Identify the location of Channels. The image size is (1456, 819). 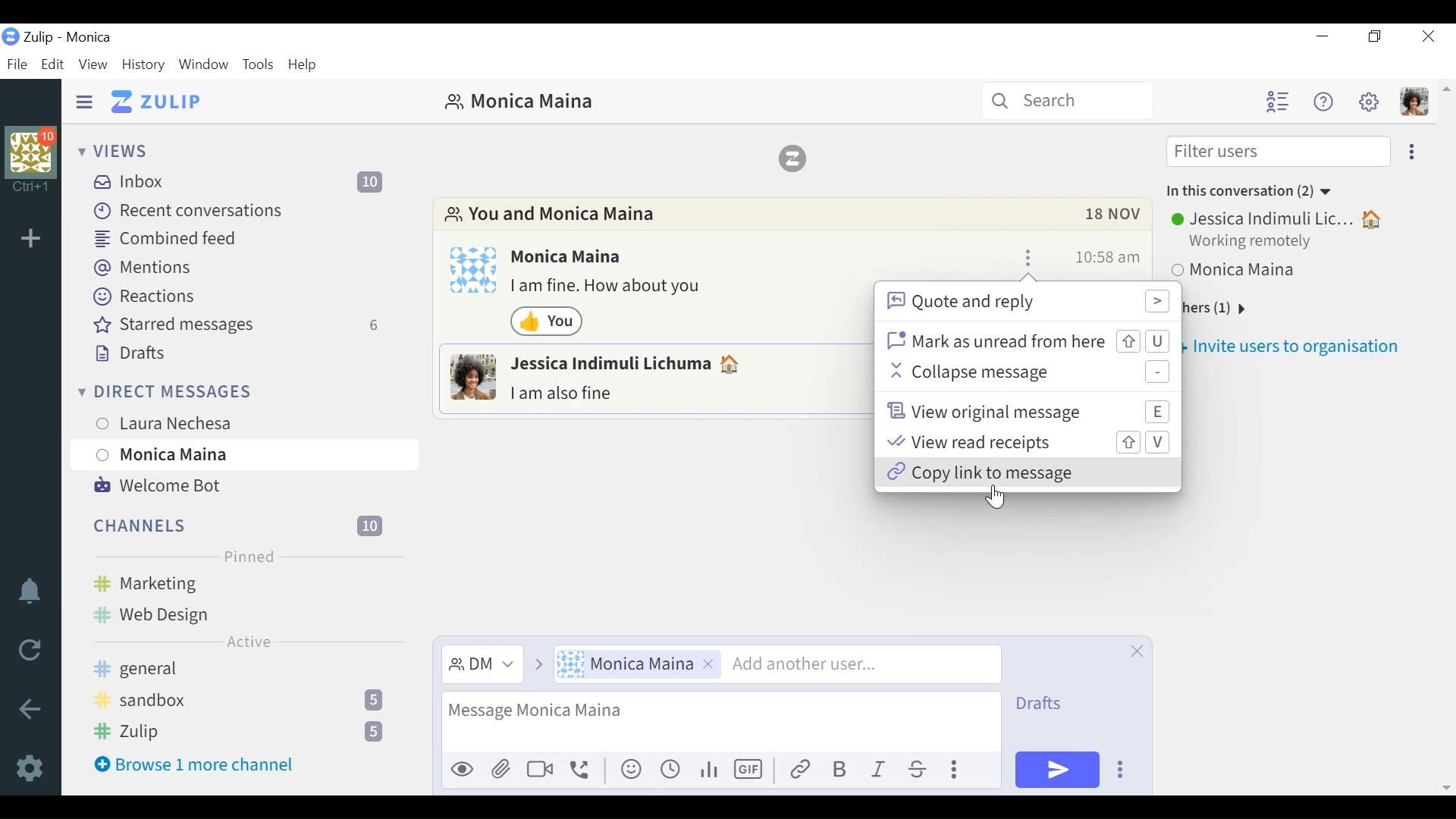
(240, 524).